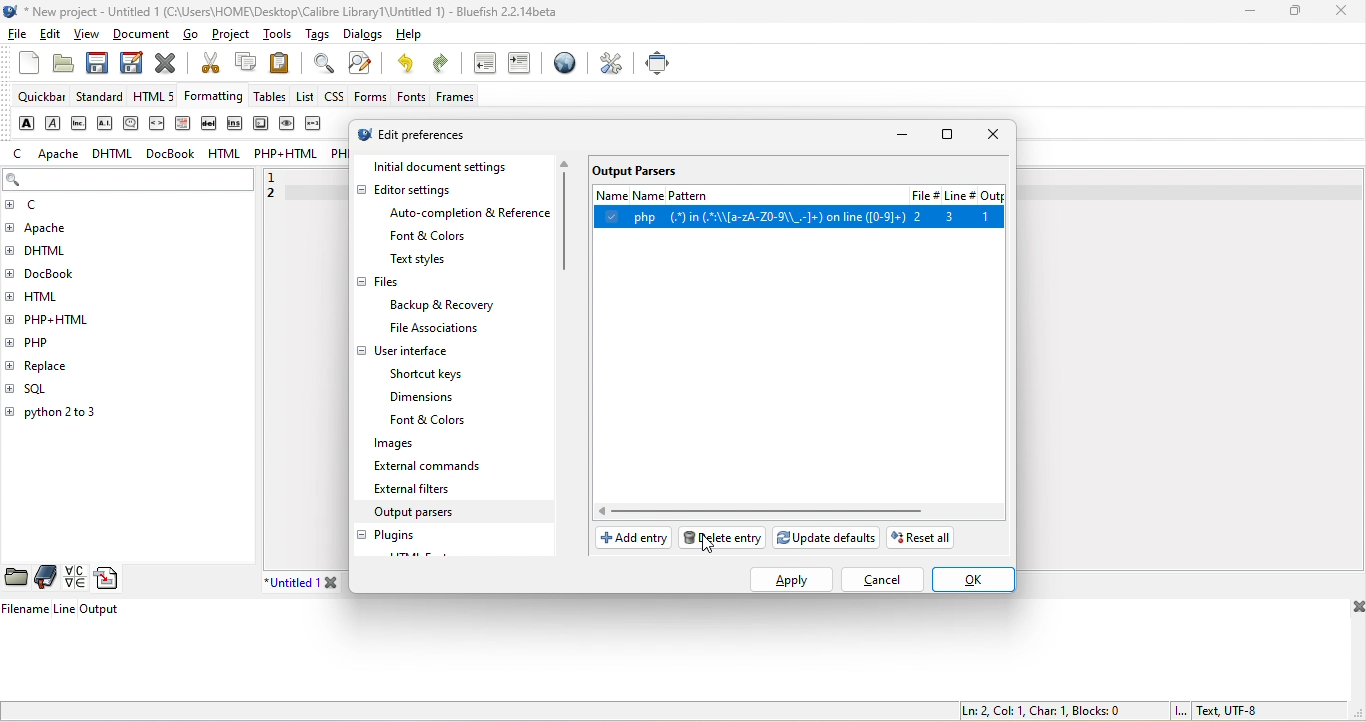  What do you see at coordinates (338, 156) in the screenshot?
I see `php` at bounding box center [338, 156].